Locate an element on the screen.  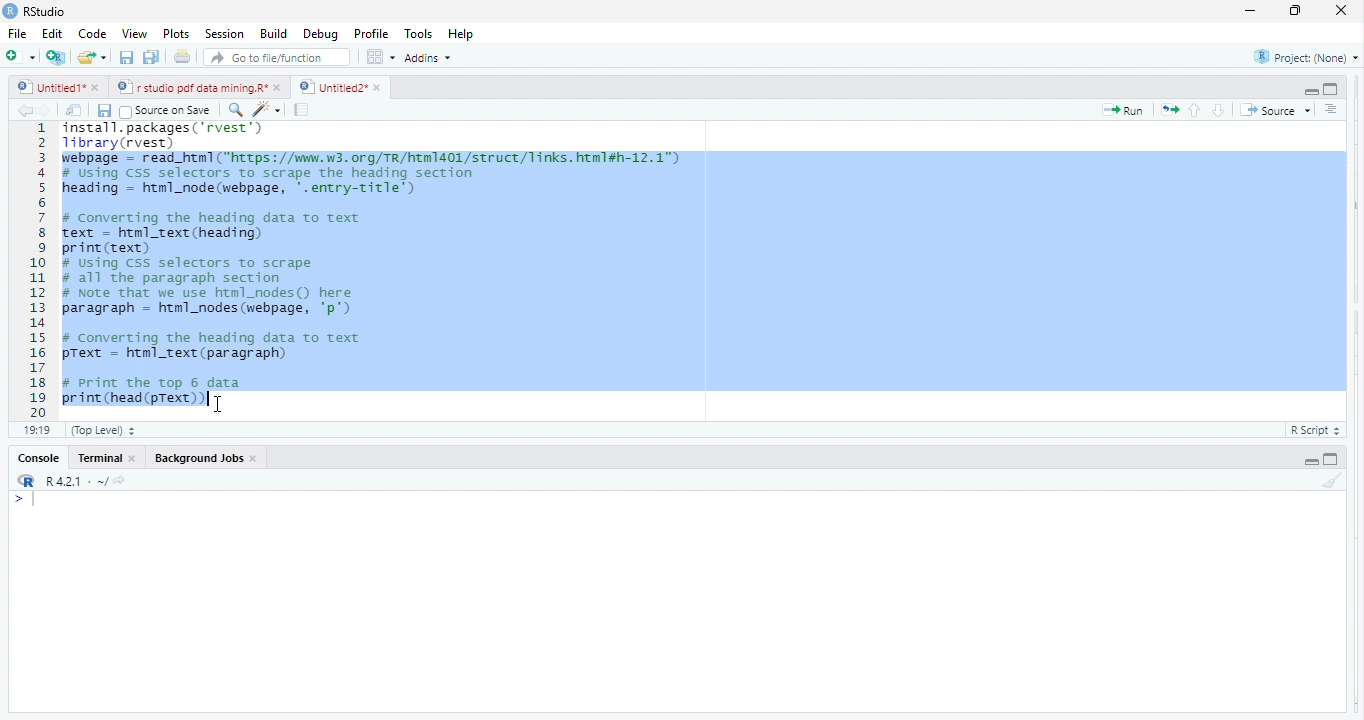
Profile is located at coordinates (375, 35).